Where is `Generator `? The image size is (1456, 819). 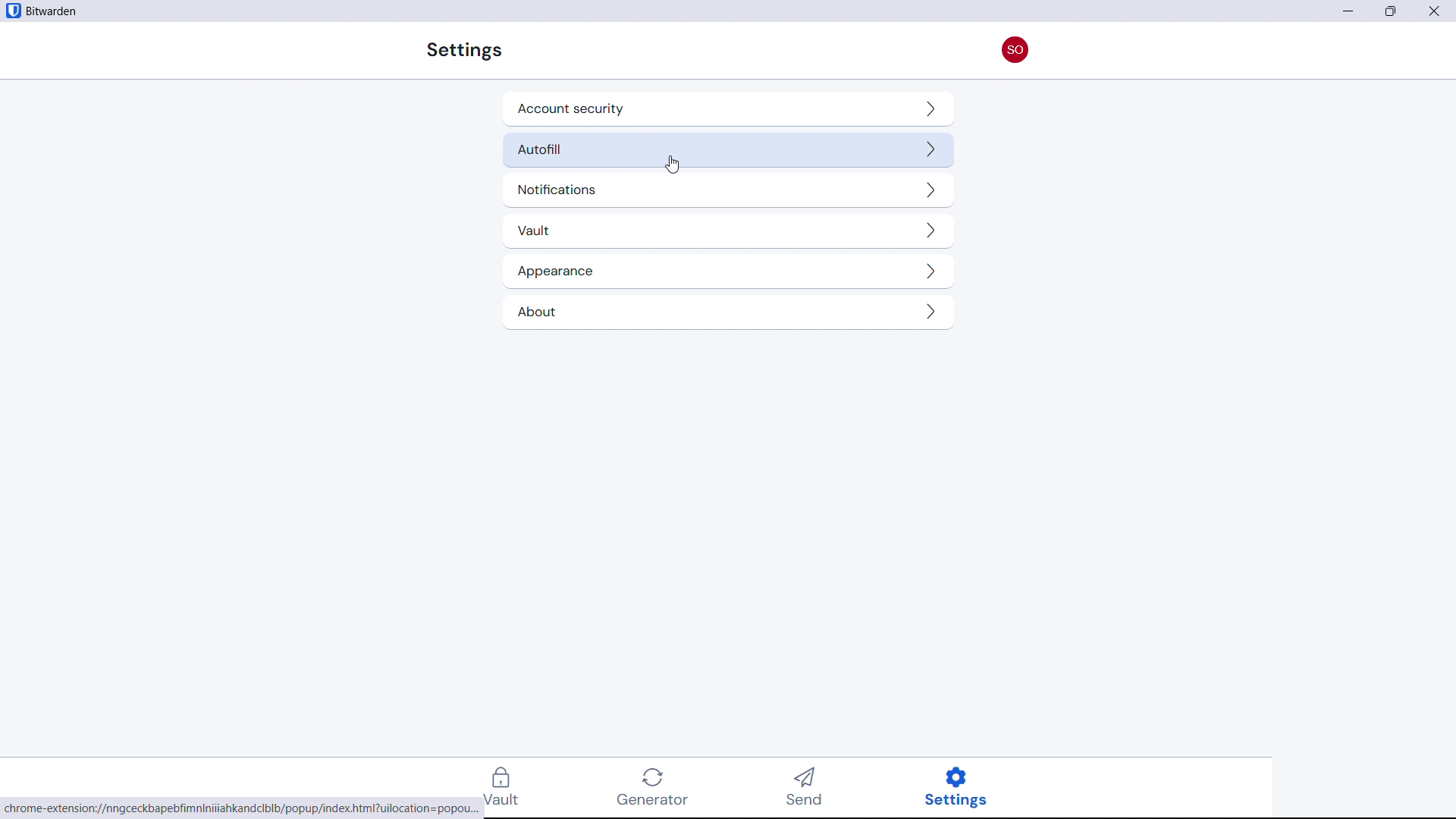 Generator  is located at coordinates (661, 787).